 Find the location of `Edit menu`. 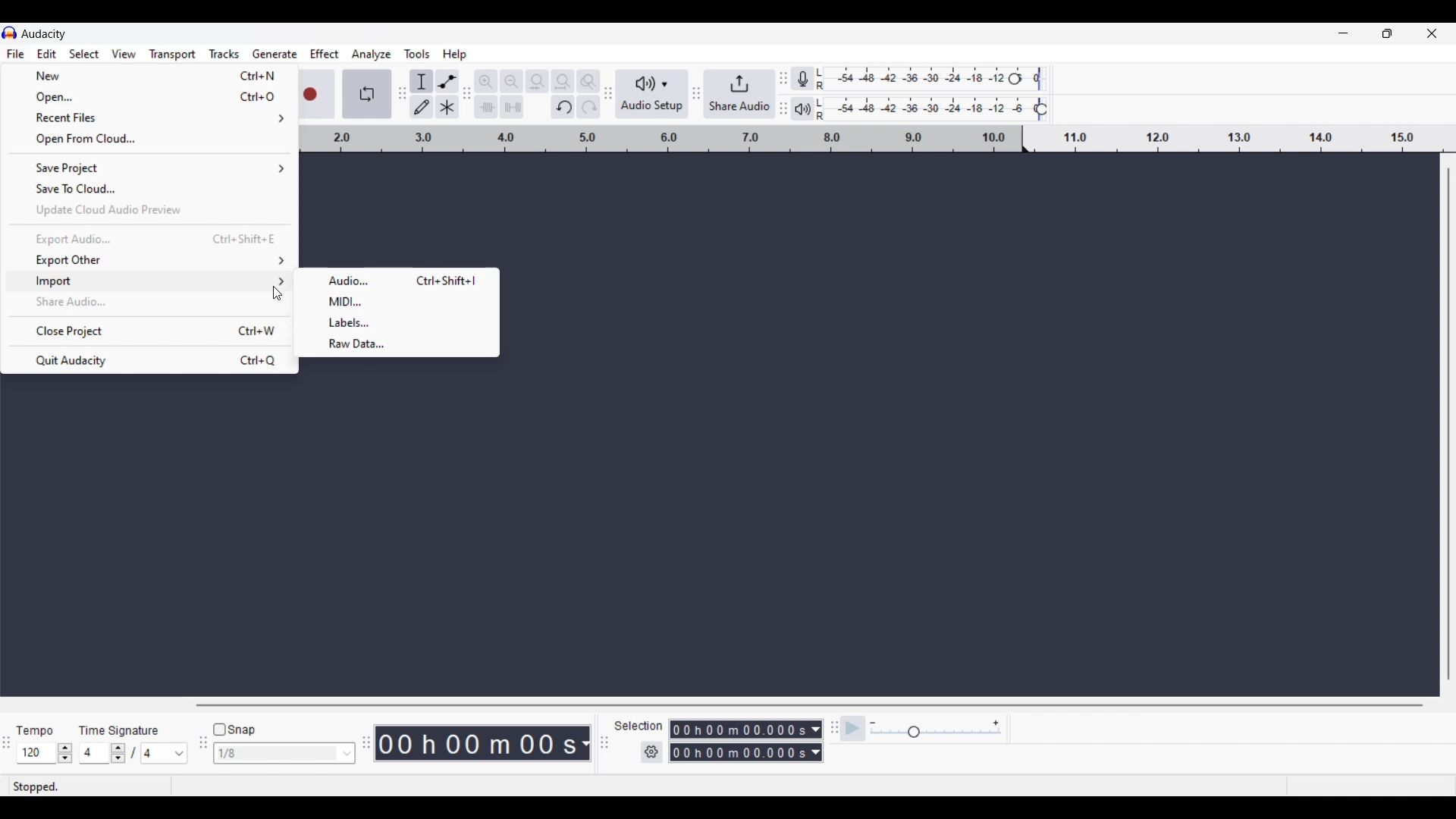

Edit menu is located at coordinates (47, 53).